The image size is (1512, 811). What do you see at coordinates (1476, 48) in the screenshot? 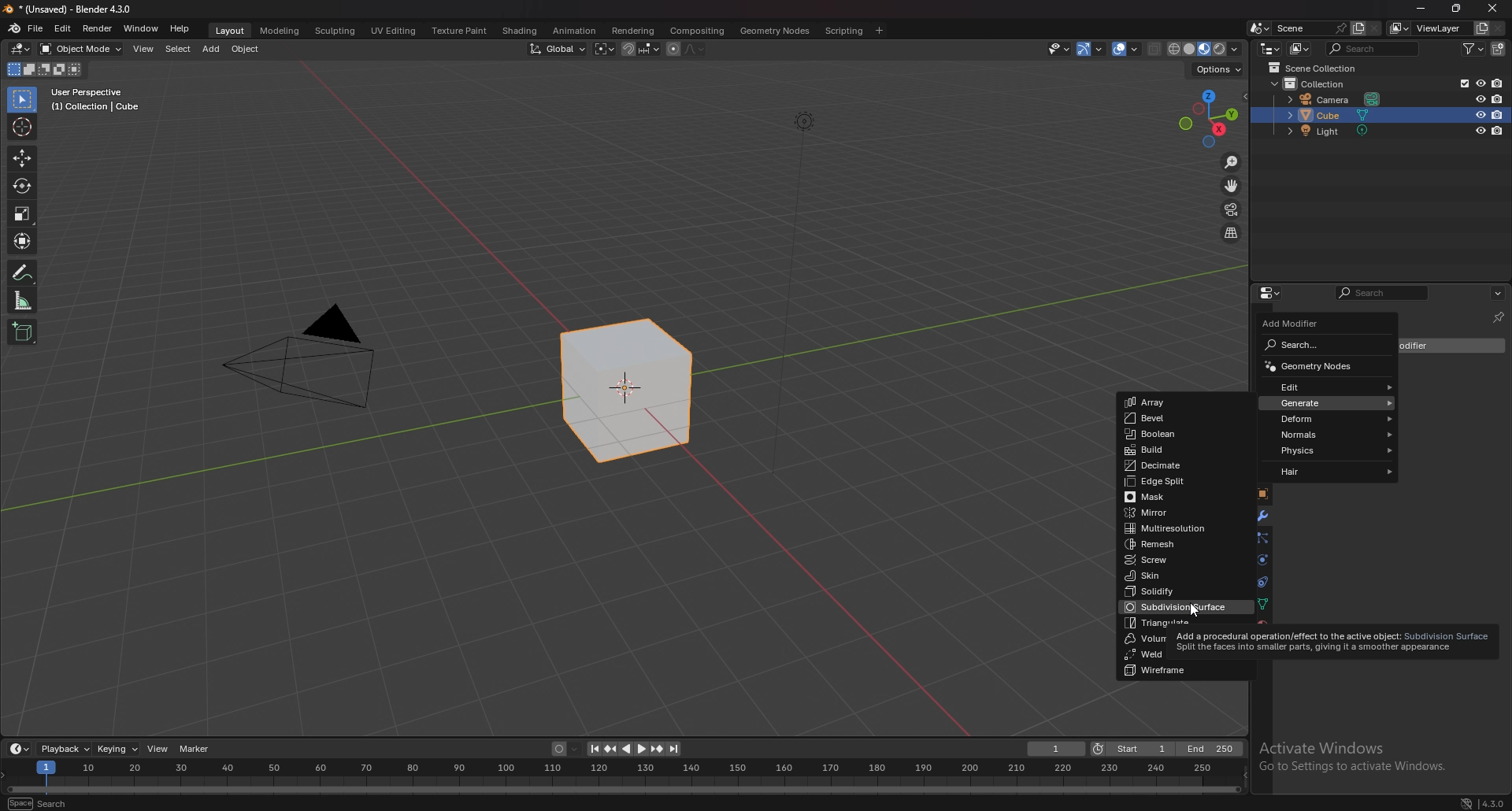
I see `filter` at bounding box center [1476, 48].